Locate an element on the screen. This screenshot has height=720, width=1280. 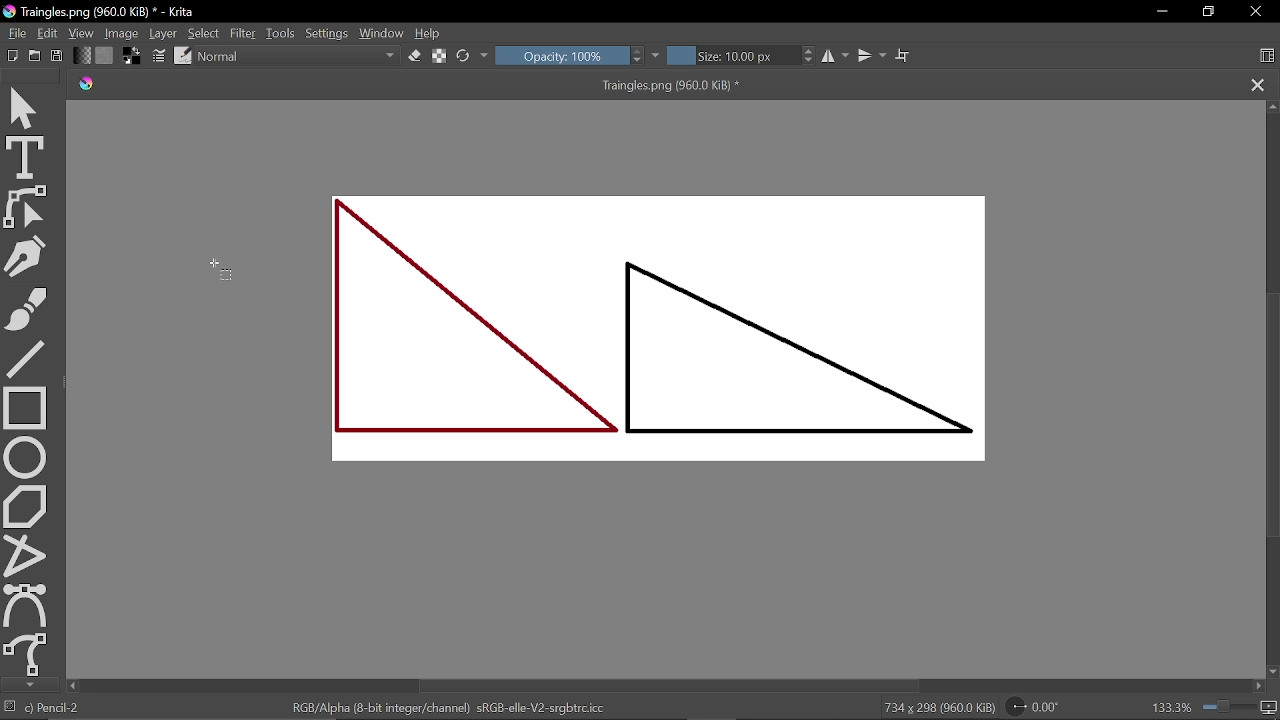
Help is located at coordinates (430, 34).